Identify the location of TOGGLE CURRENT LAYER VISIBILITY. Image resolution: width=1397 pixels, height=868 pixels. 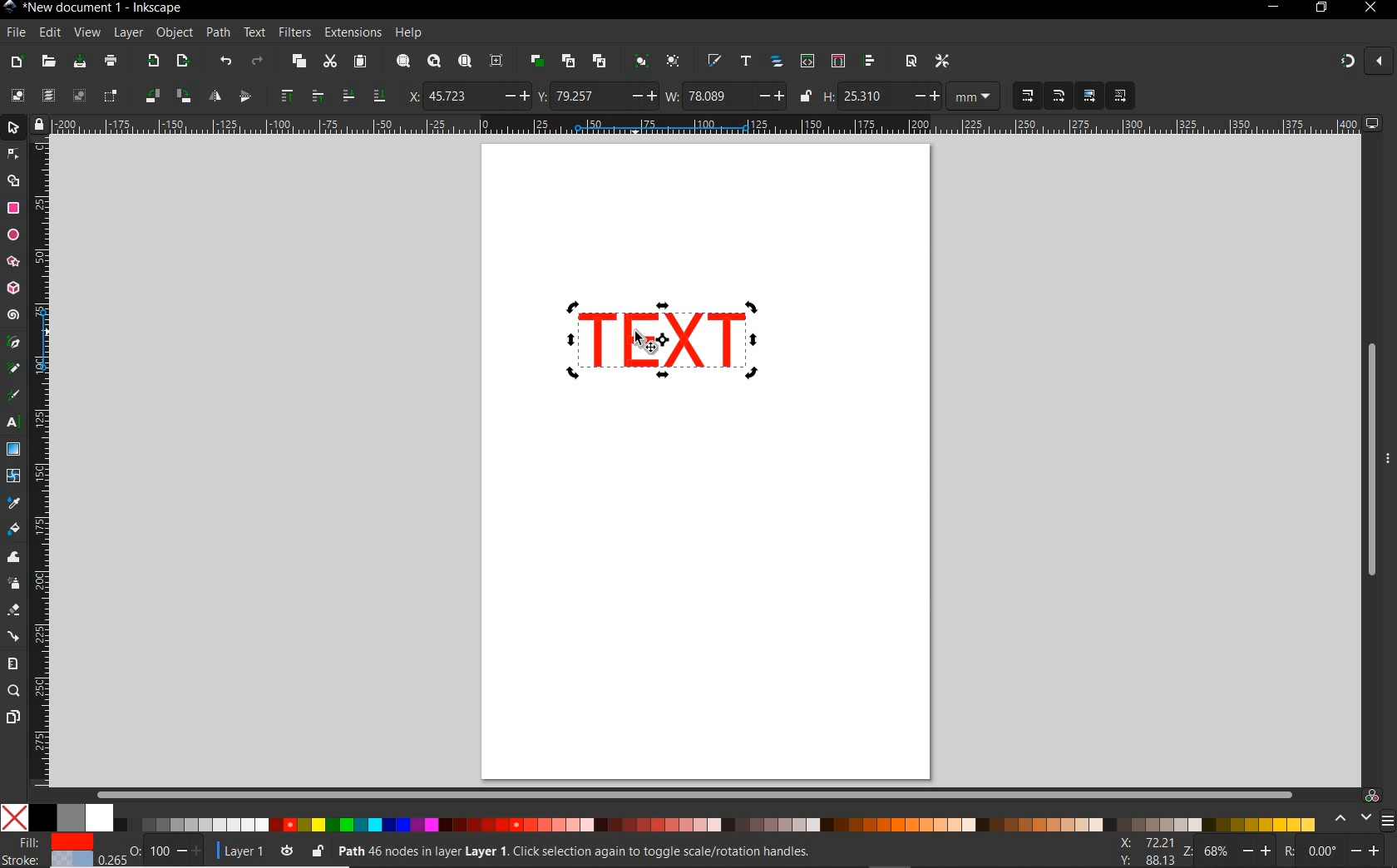
(287, 851).